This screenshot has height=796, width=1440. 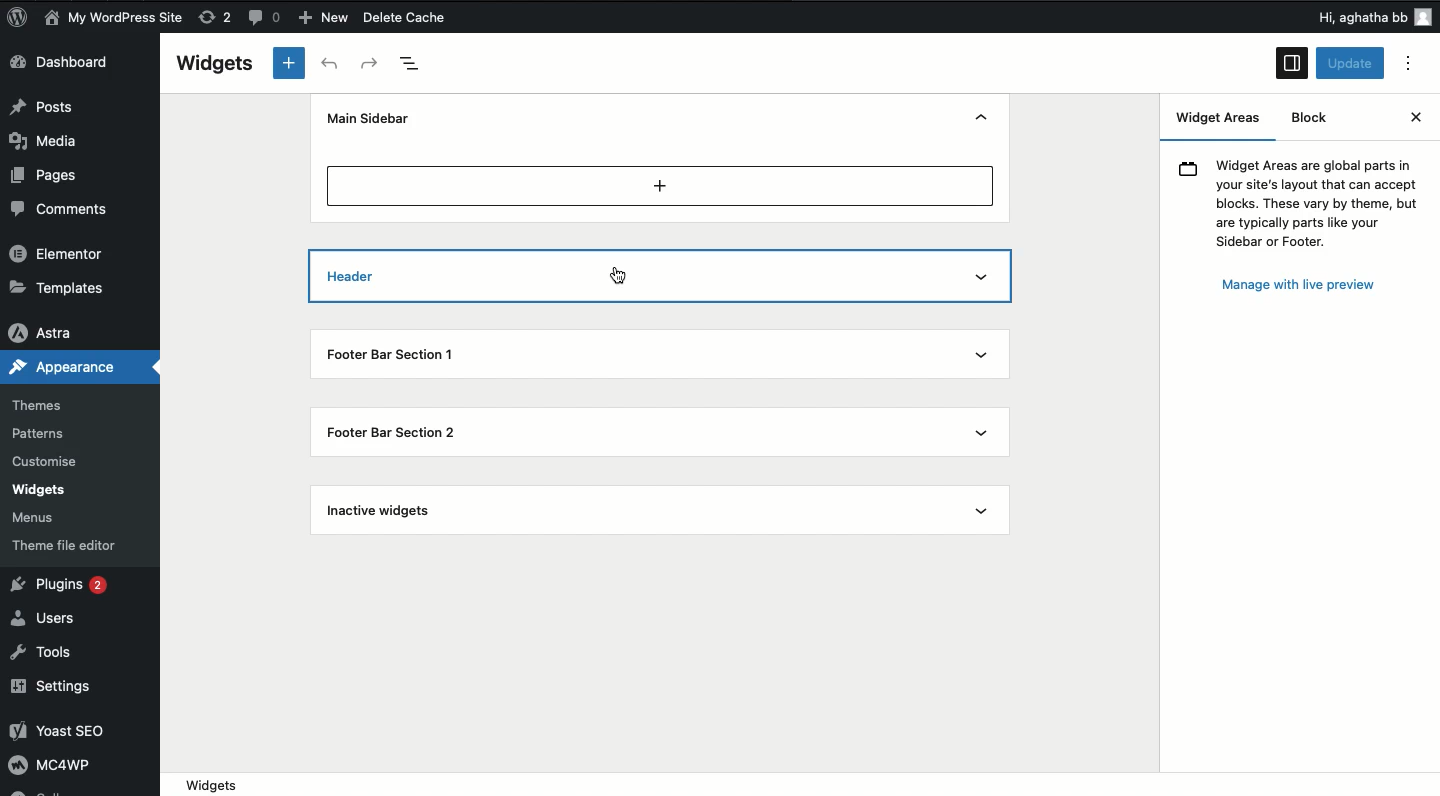 What do you see at coordinates (56, 139) in the screenshot?
I see ` Media` at bounding box center [56, 139].